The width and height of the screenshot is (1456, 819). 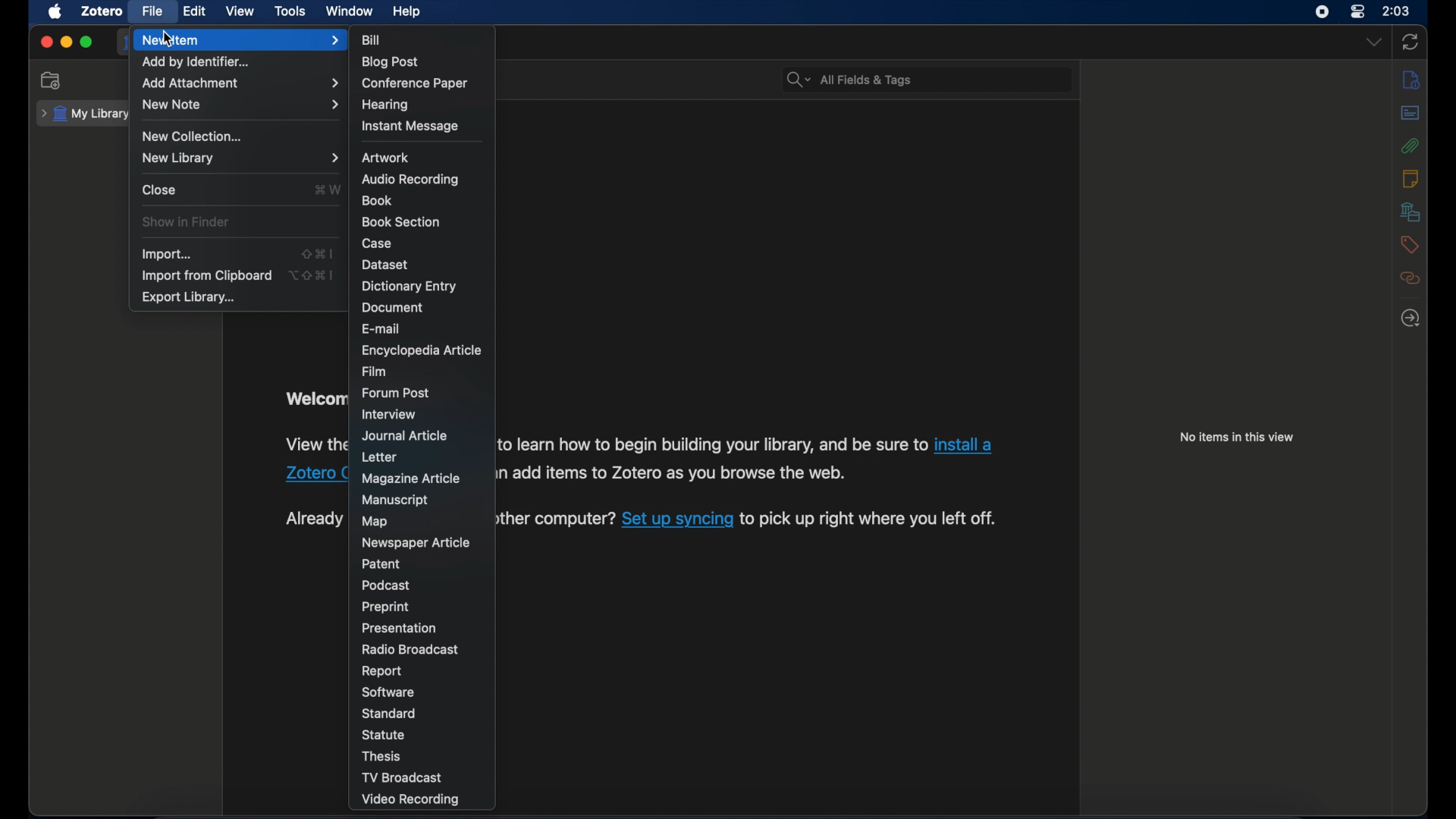 I want to click on film, so click(x=375, y=372).